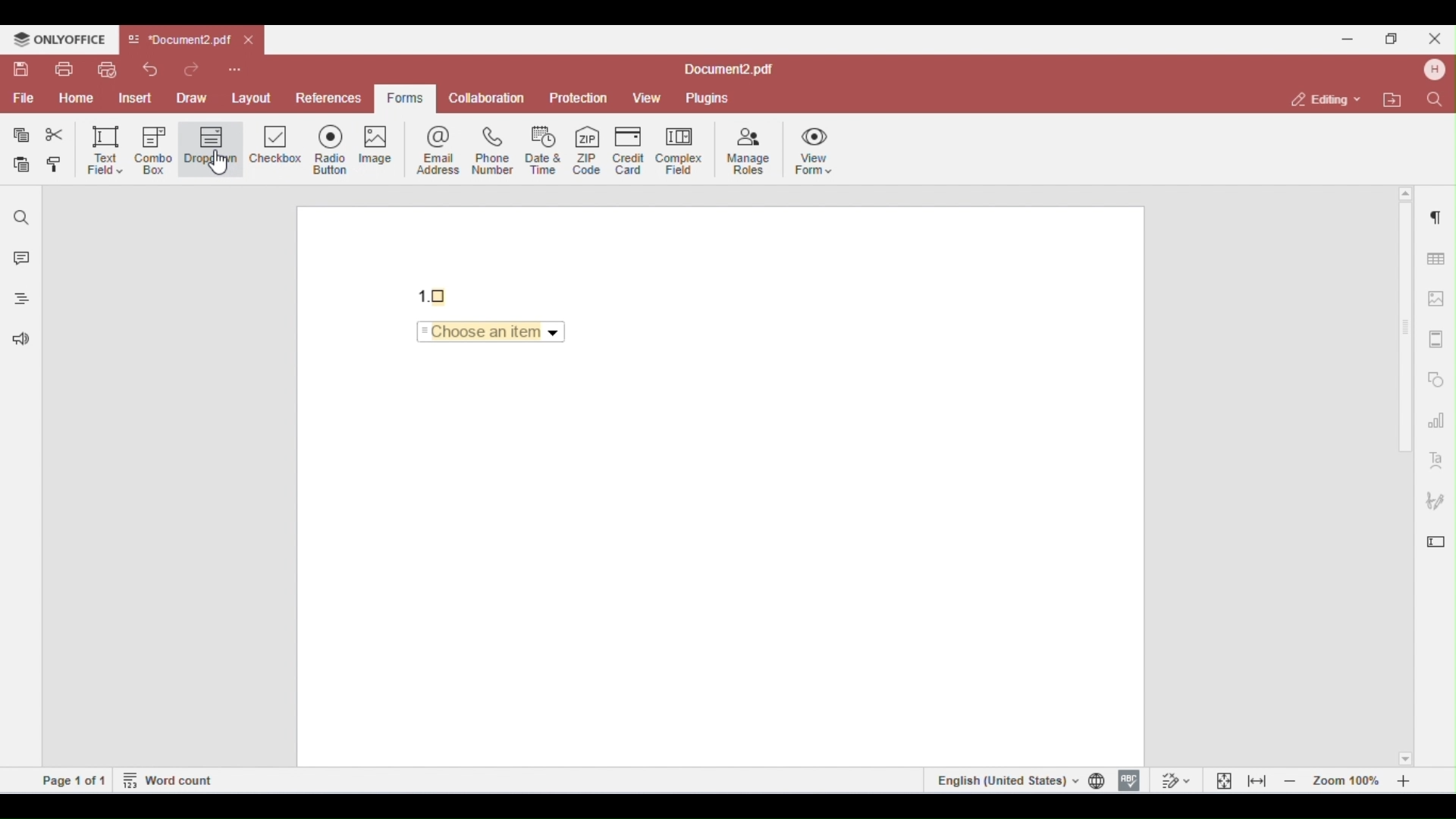 Image resolution: width=1456 pixels, height=819 pixels. Describe the element at coordinates (1174, 780) in the screenshot. I see `track changes` at that location.